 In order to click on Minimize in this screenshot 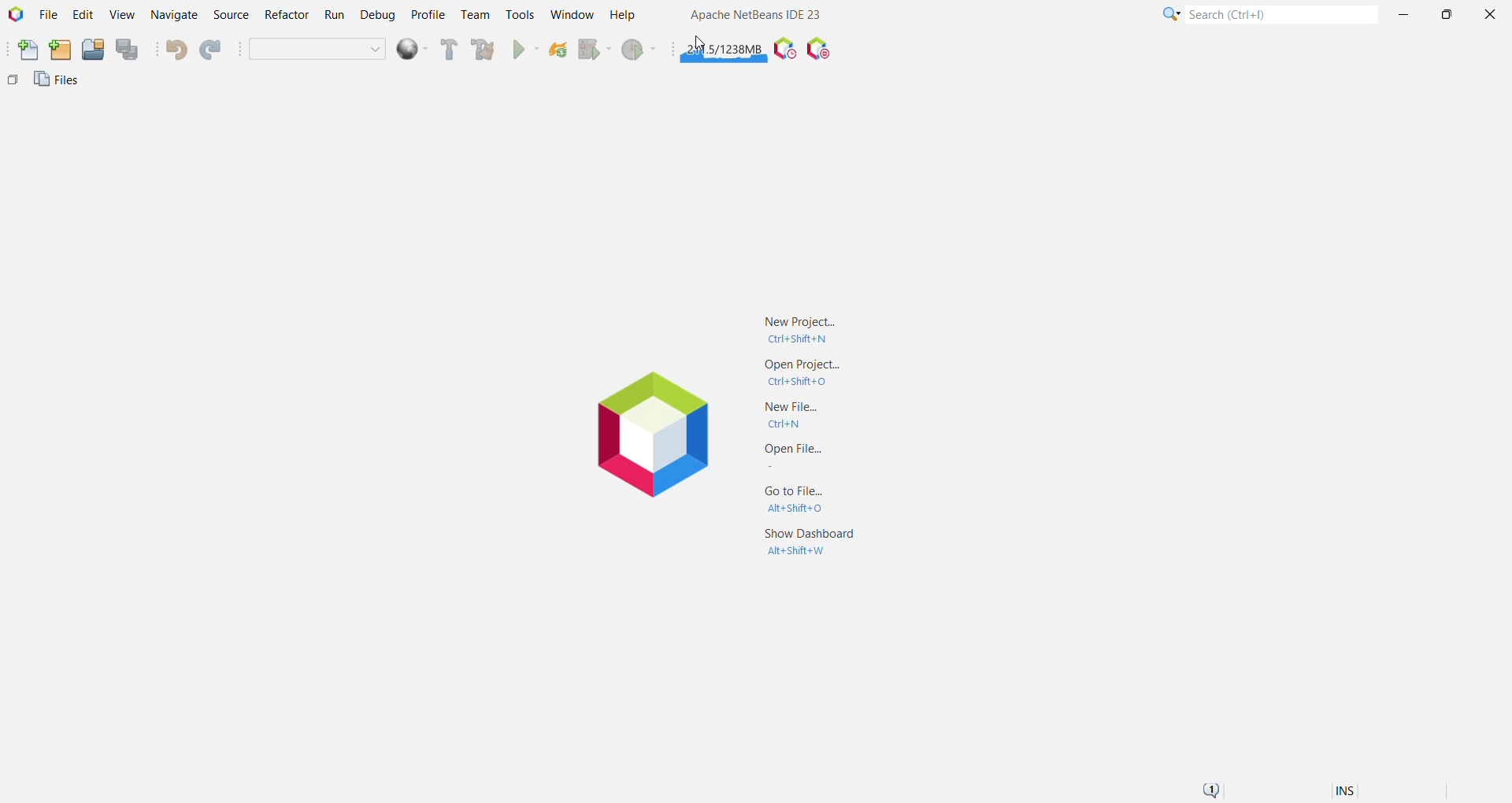, I will do `click(1406, 14)`.